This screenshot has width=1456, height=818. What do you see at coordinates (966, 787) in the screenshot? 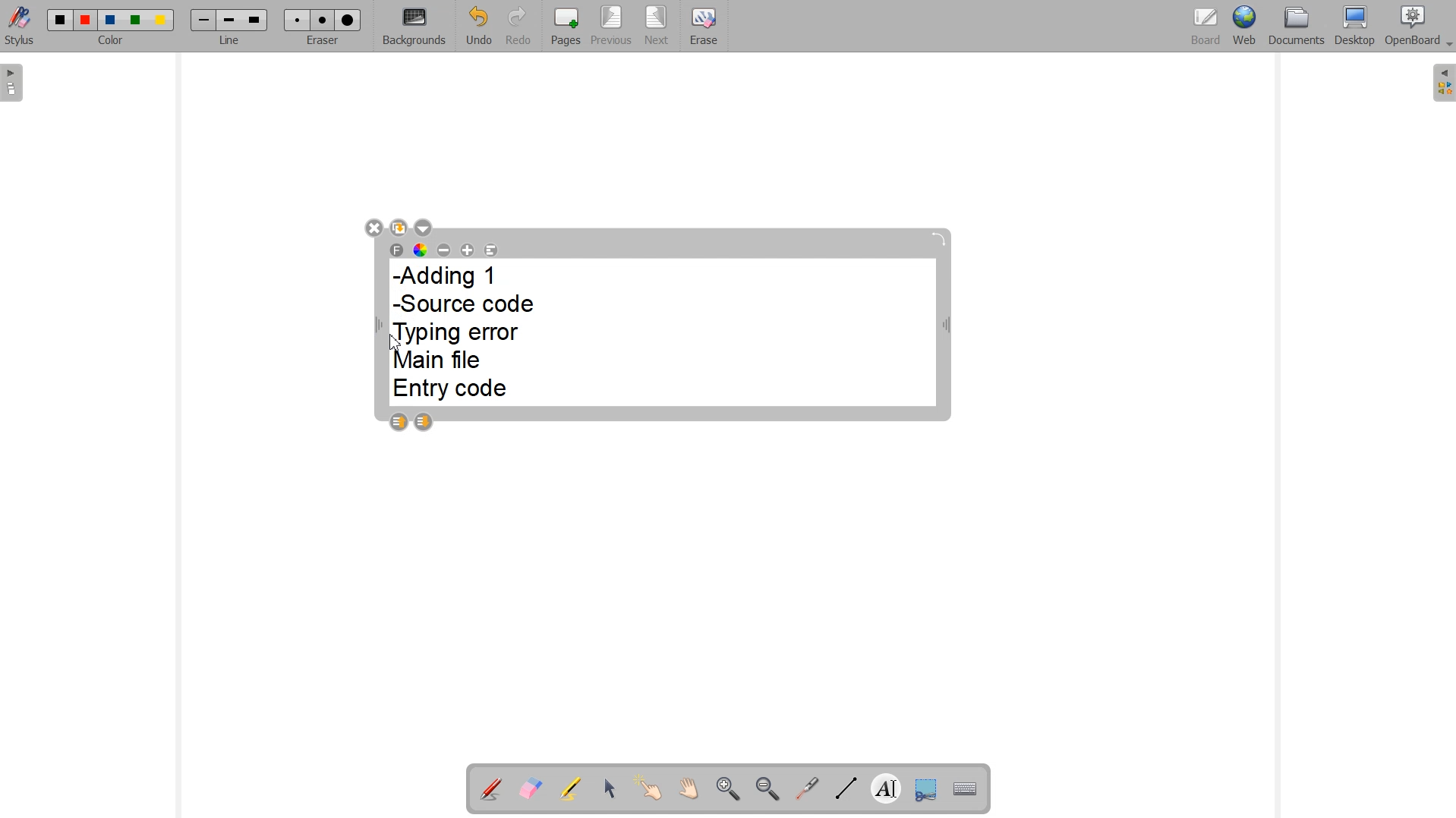
I see `Display virtual keyboard ` at bounding box center [966, 787].